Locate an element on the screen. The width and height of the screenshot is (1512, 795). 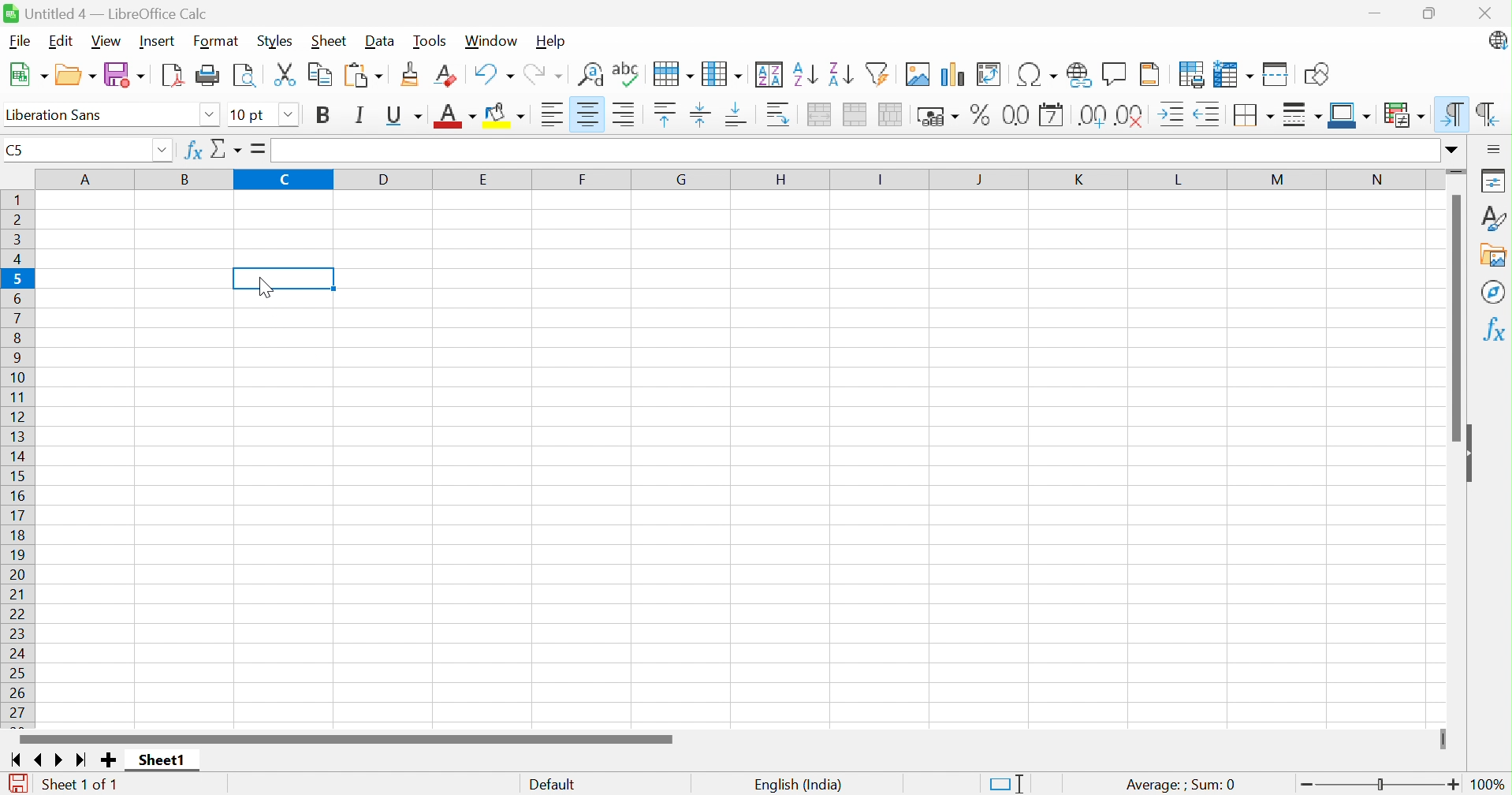
Find and Replace is located at coordinates (591, 74).